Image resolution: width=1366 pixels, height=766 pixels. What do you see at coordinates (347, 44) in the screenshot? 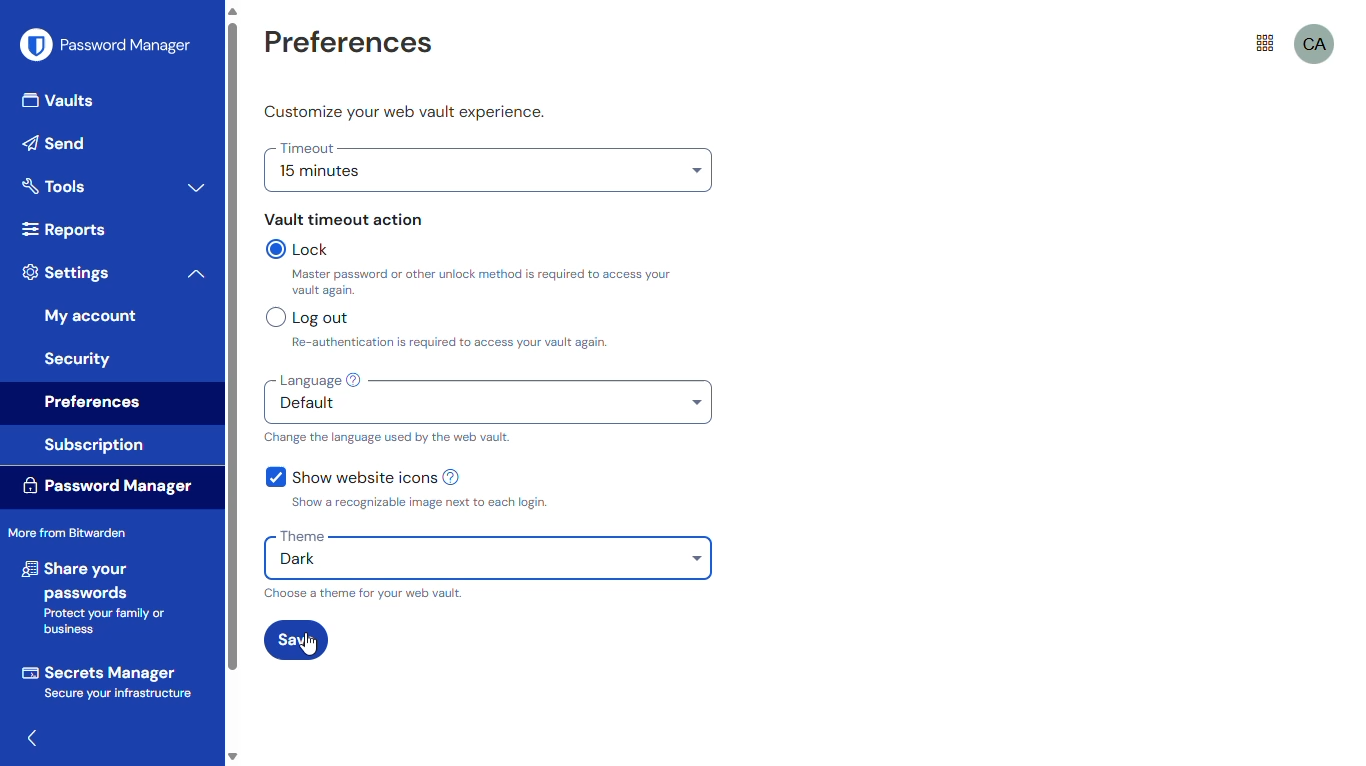
I see `preferences` at bounding box center [347, 44].